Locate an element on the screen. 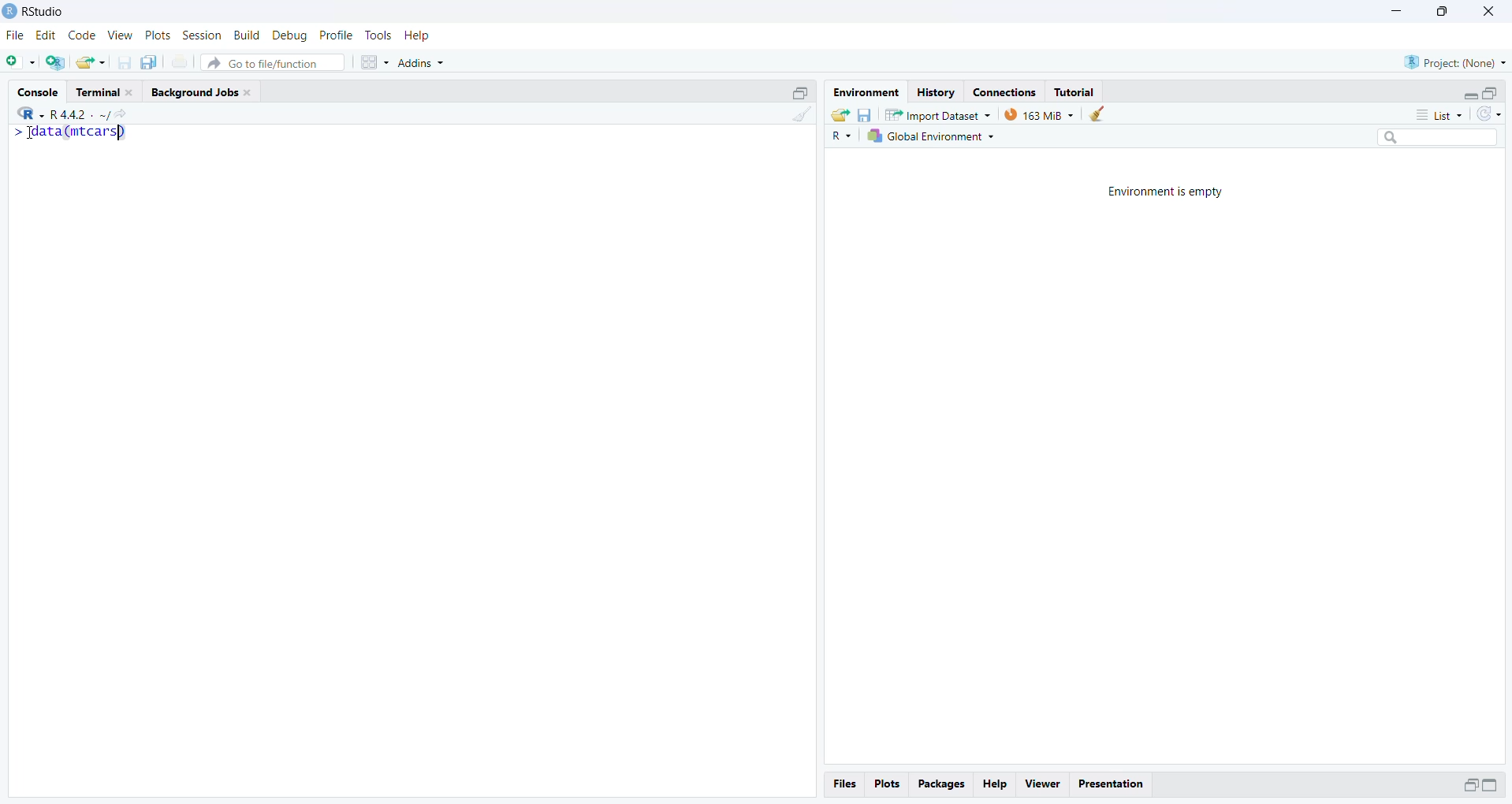 The height and width of the screenshot is (804, 1512). view is located at coordinates (121, 35).